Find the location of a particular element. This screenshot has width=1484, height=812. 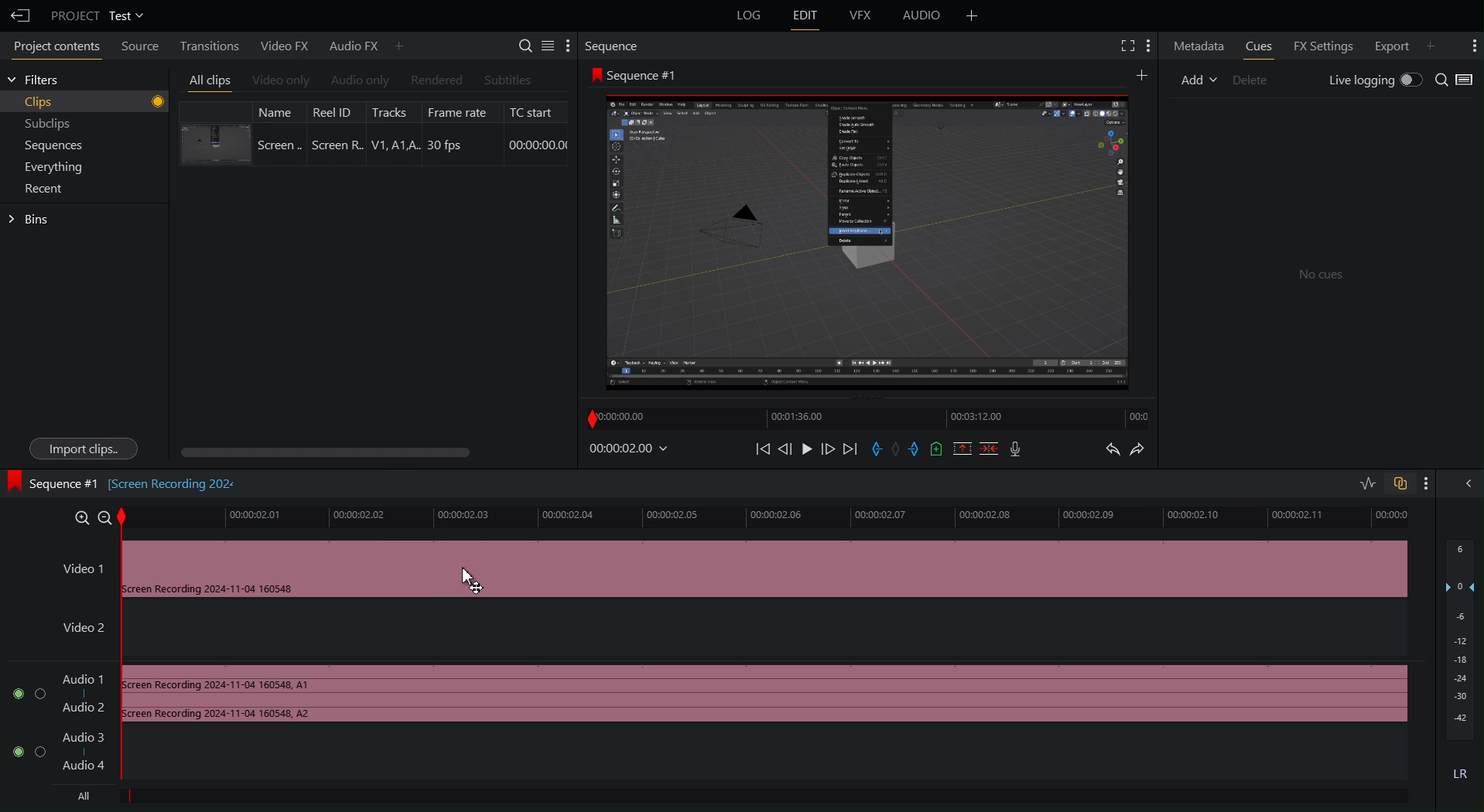

Metadata is located at coordinates (1197, 46).